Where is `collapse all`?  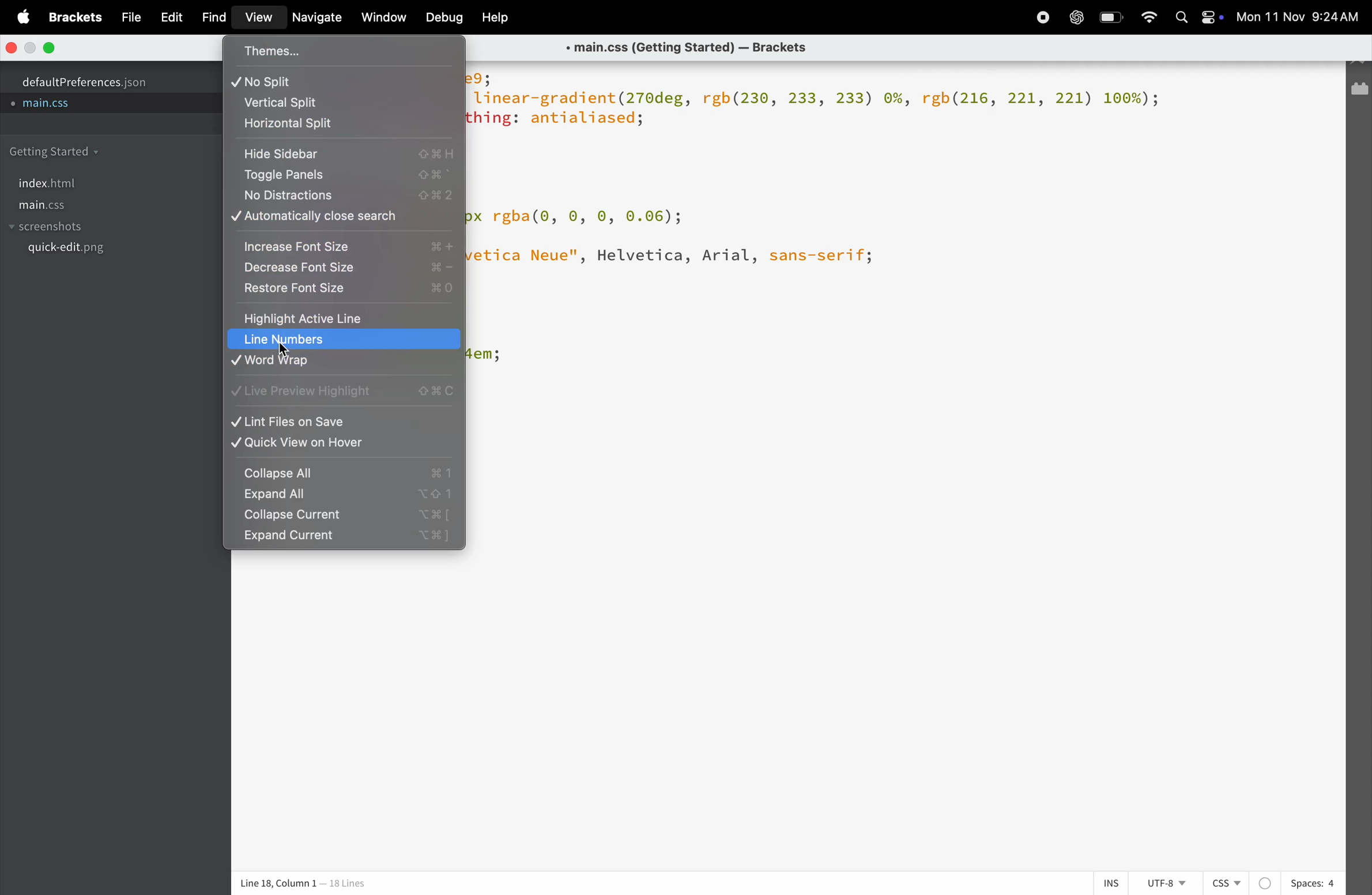 collapse all is located at coordinates (344, 472).